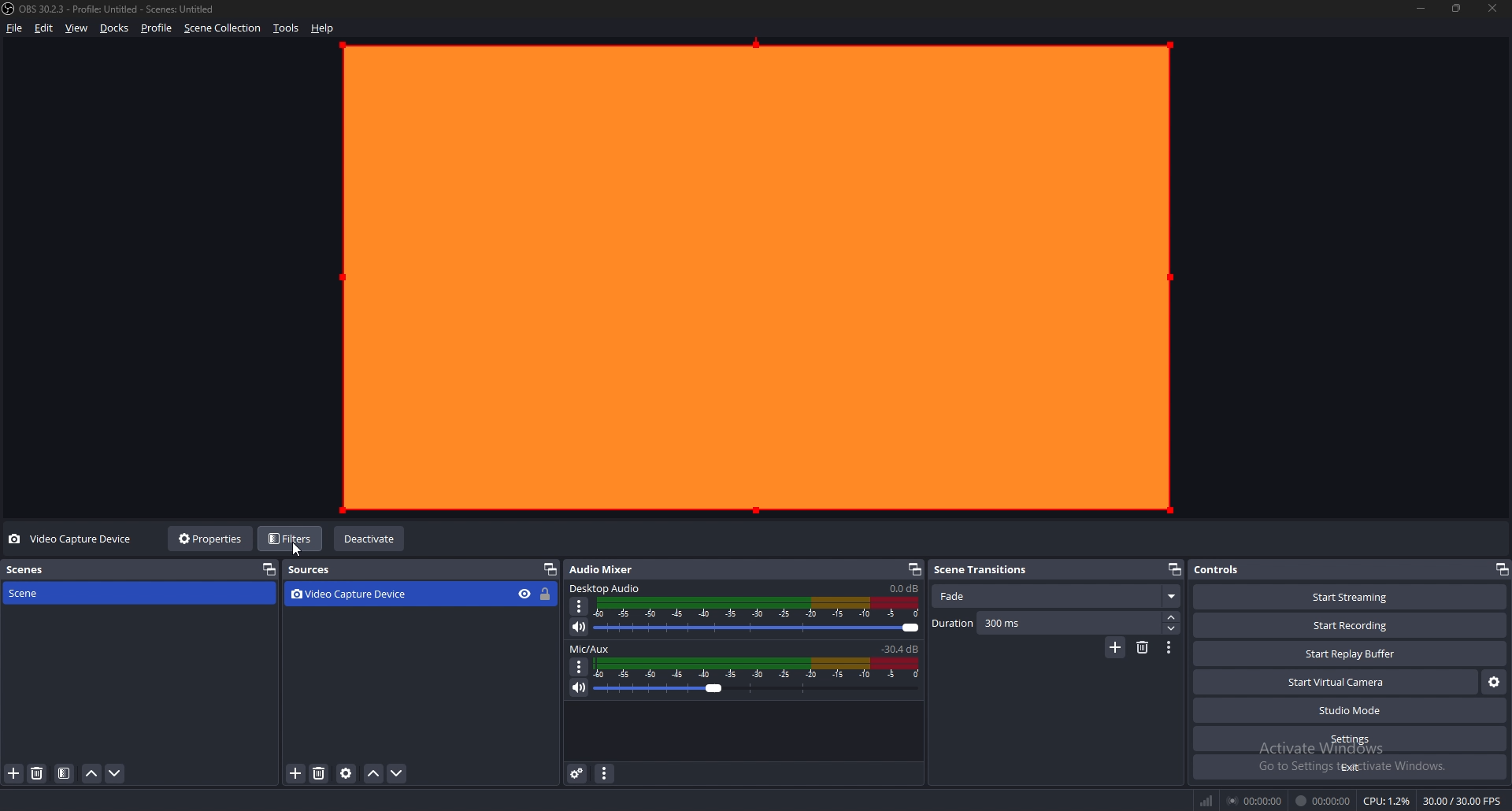 The width and height of the screenshot is (1512, 811). What do you see at coordinates (1254, 801) in the screenshot?
I see `00:00:00` at bounding box center [1254, 801].